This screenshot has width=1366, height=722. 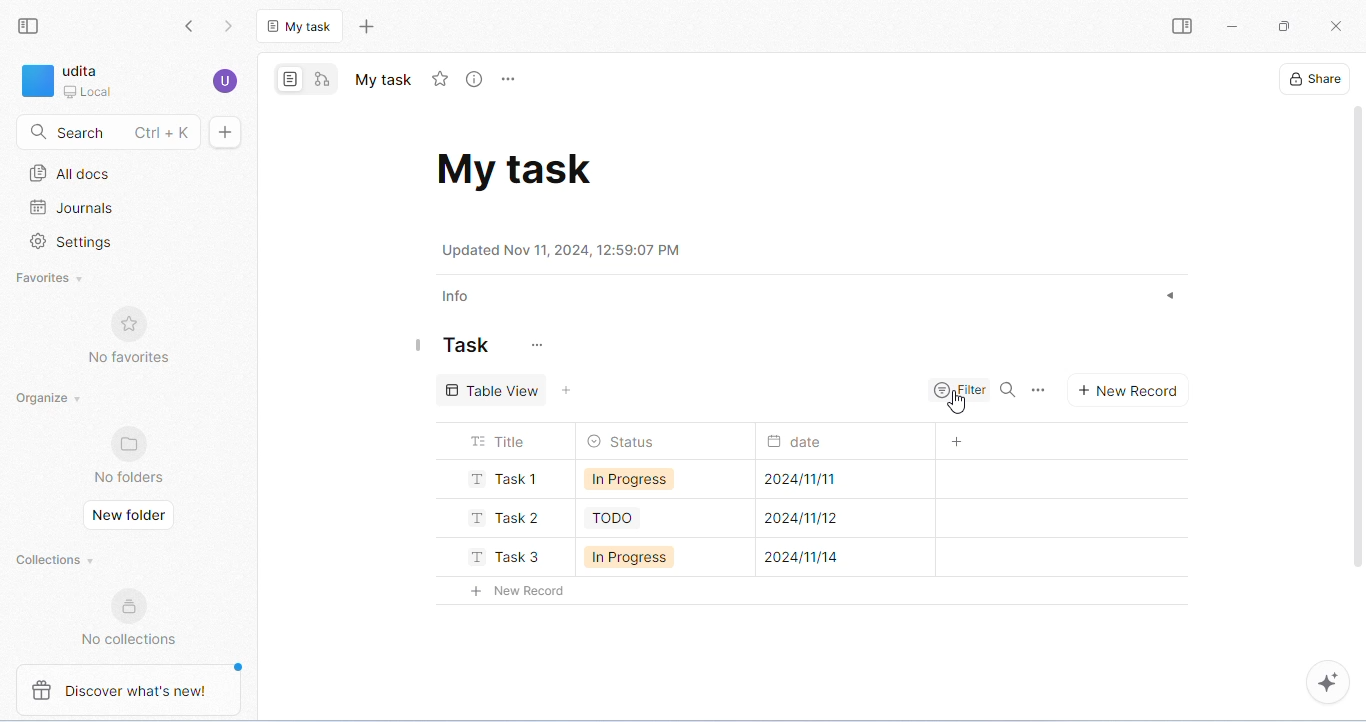 What do you see at coordinates (67, 83) in the screenshot?
I see `workspace` at bounding box center [67, 83].